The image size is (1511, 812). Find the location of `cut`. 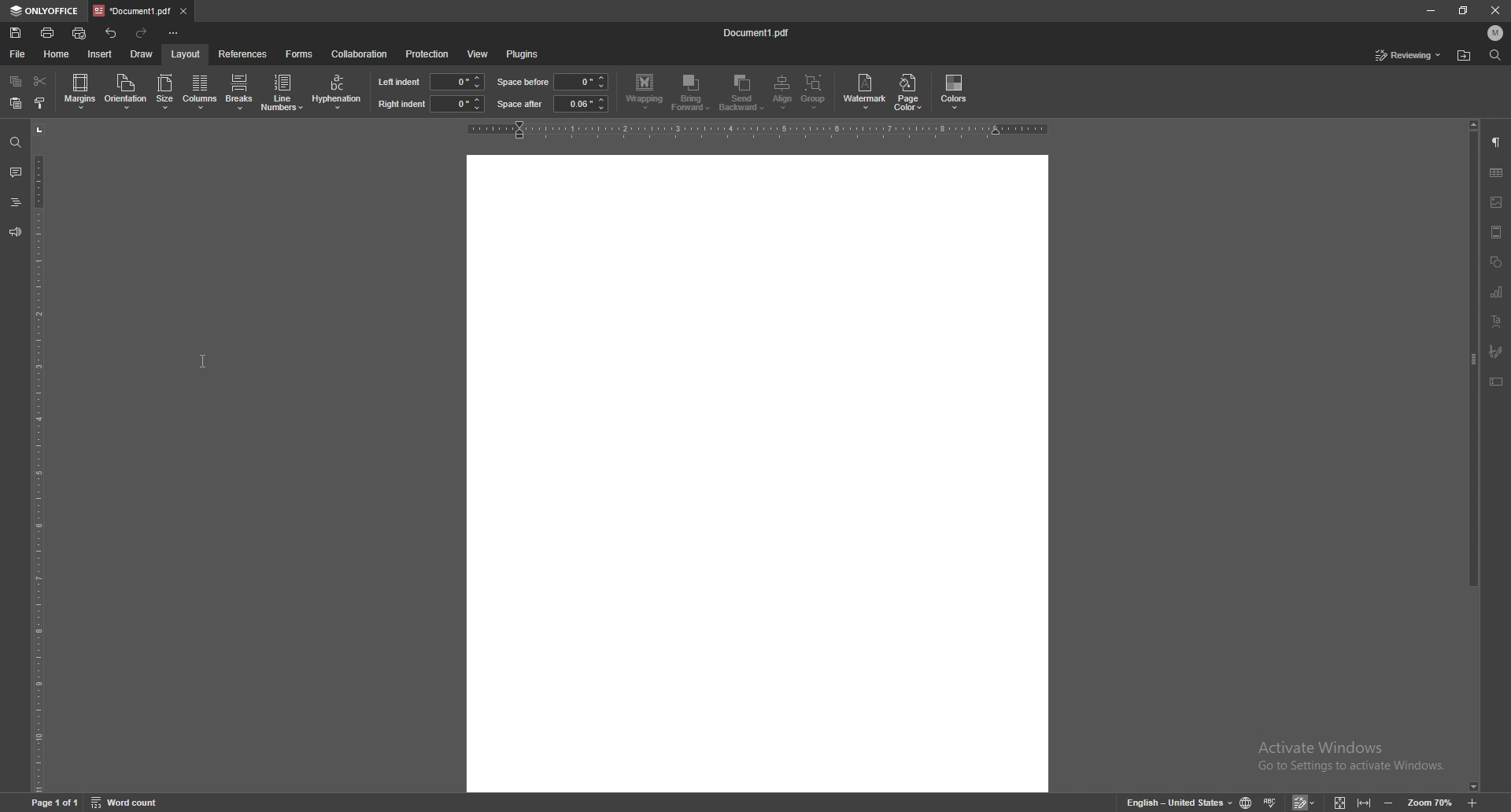

cut is located at coordinates (40, 81).